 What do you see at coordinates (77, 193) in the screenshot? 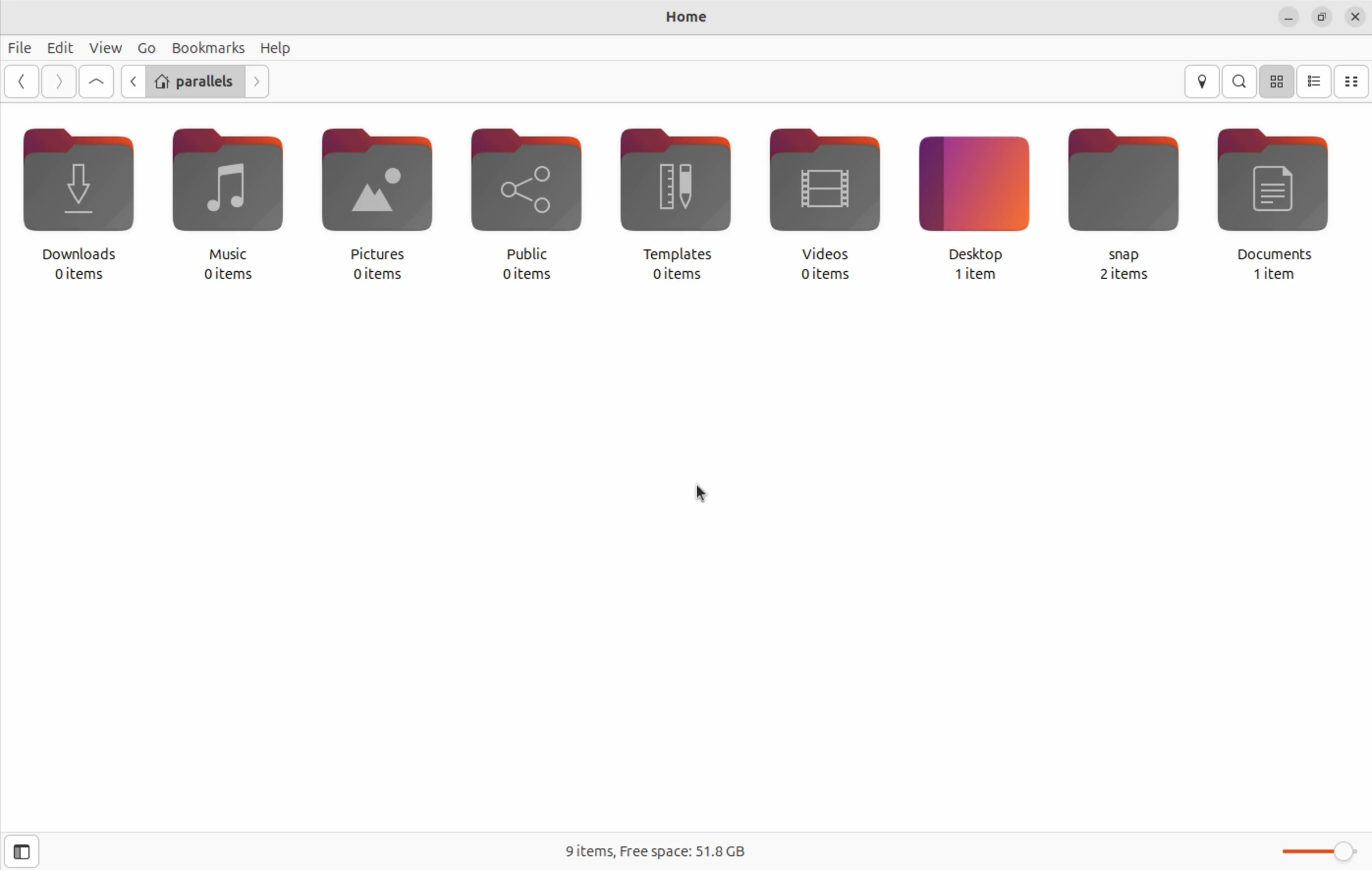
I see `downloads` at bounding box center [77, 193].